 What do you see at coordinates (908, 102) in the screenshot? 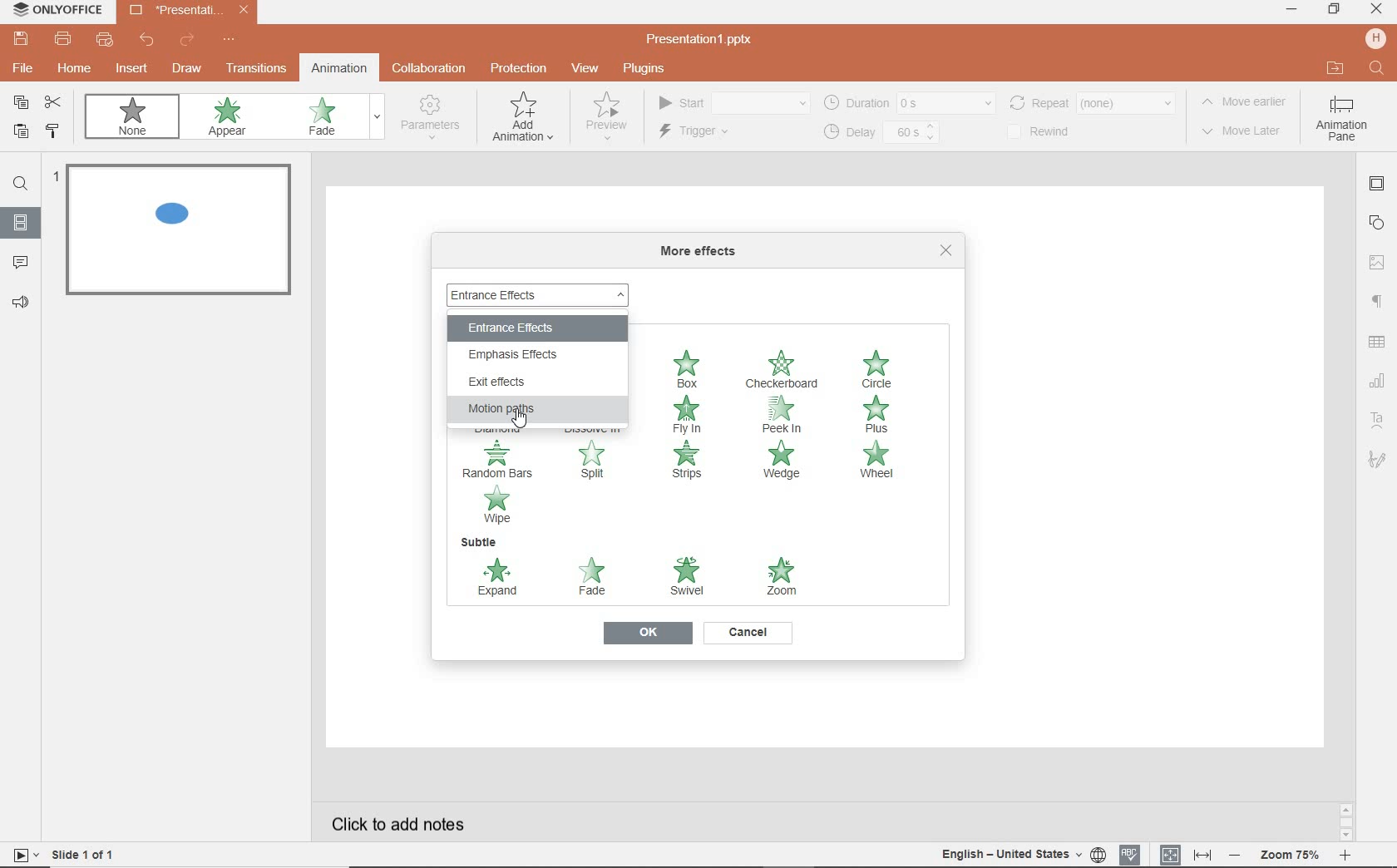
I see `duration` at bounding box center [908, 102].